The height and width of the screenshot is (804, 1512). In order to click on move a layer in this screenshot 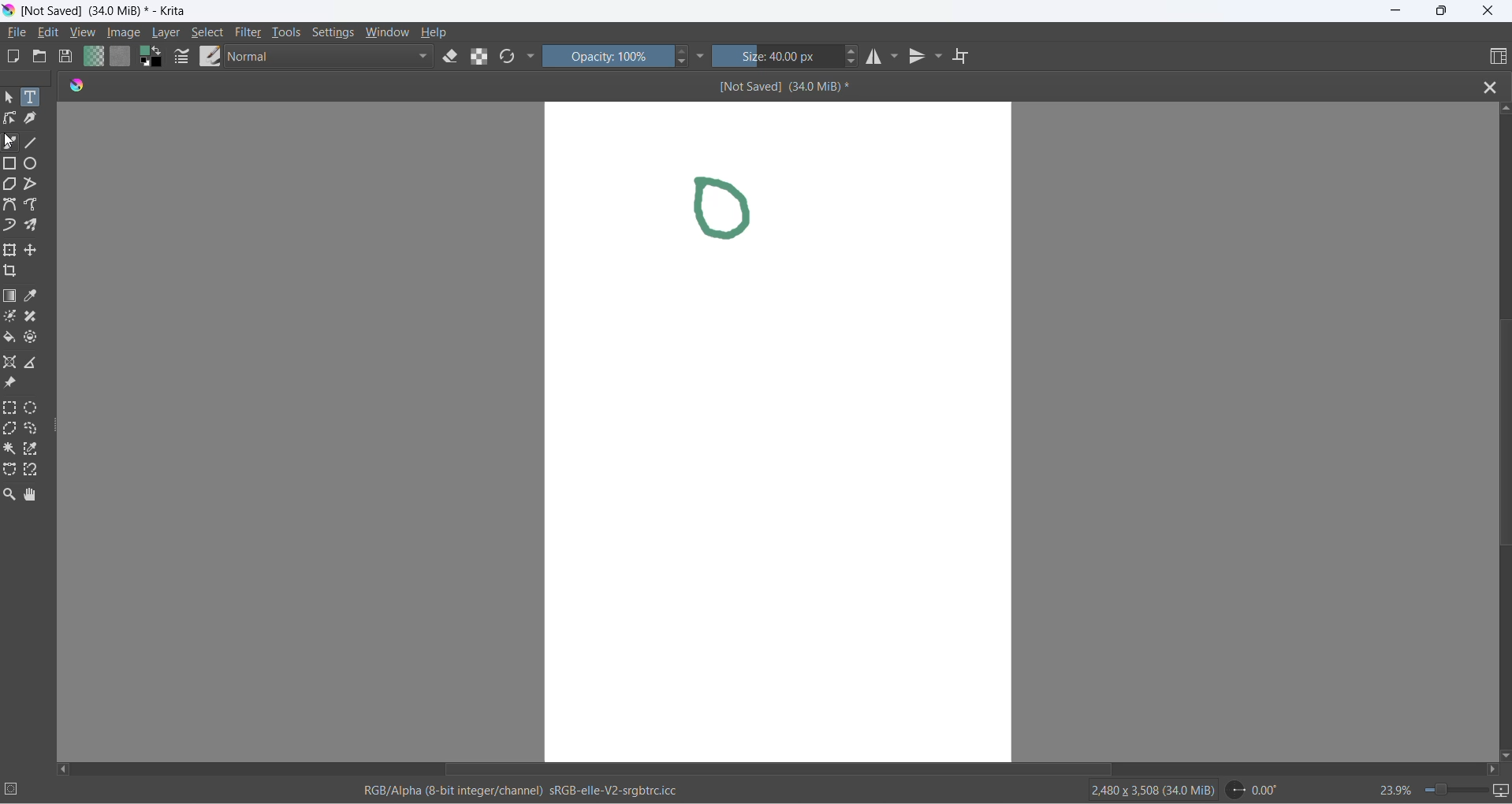, I will do `click(35, 248)`.